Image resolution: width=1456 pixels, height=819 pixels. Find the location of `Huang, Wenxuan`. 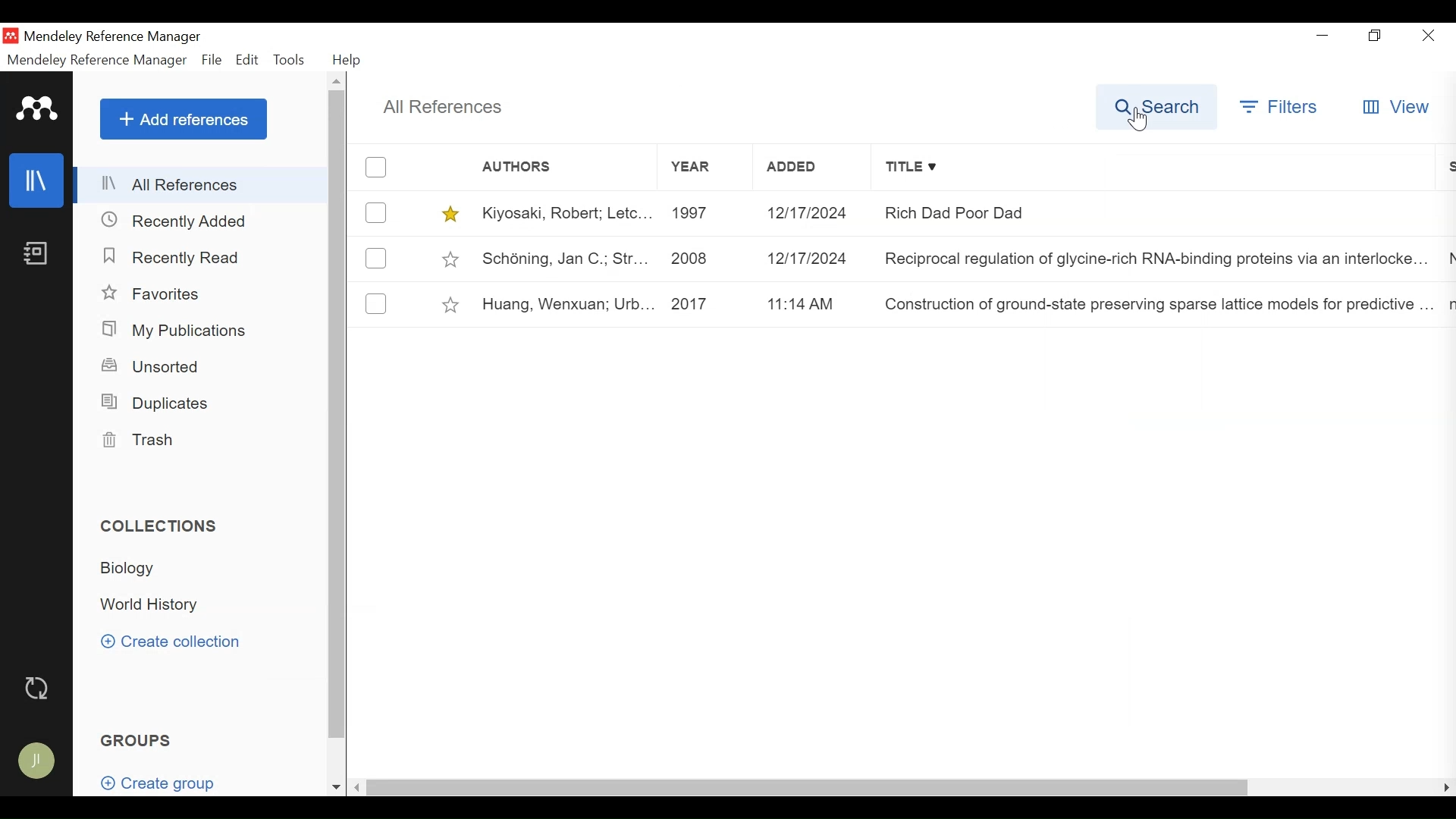

Huang, Wenxuan is located at coordinates (563, 305).